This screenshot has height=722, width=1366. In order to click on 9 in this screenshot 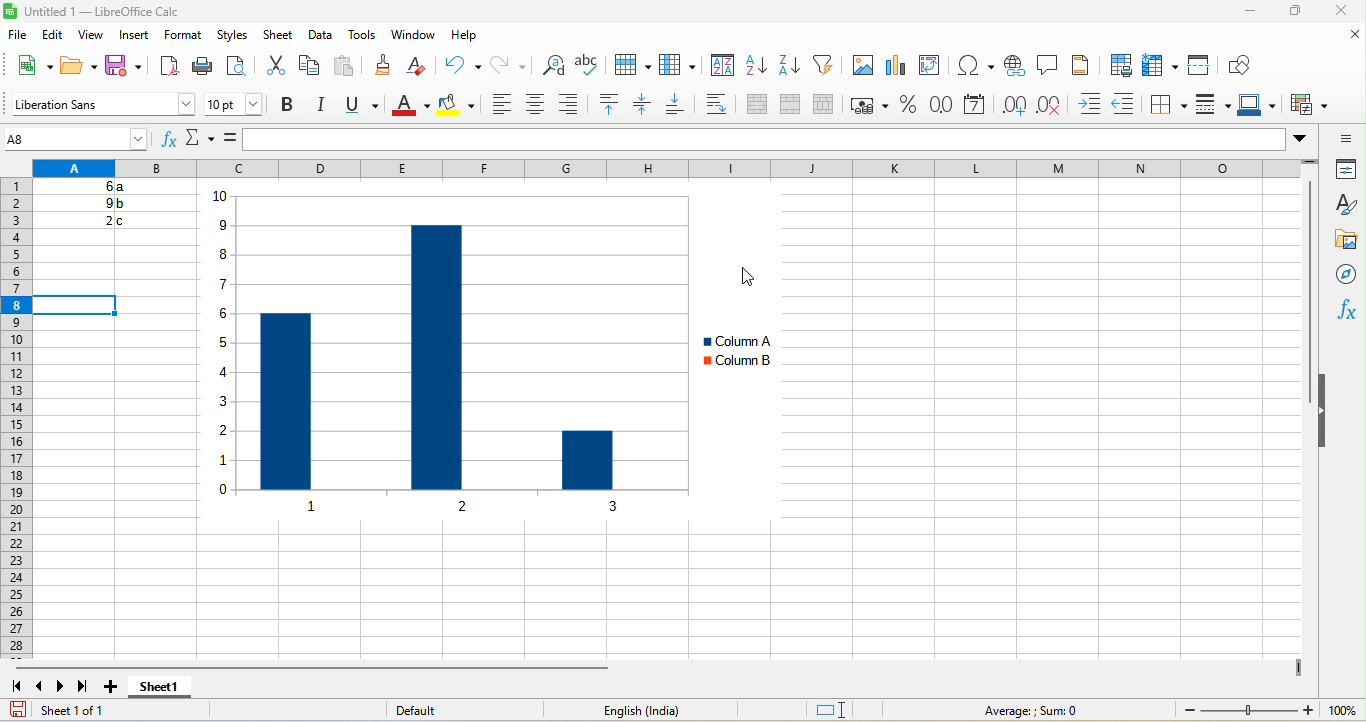, I will do `click(97, 202)`.